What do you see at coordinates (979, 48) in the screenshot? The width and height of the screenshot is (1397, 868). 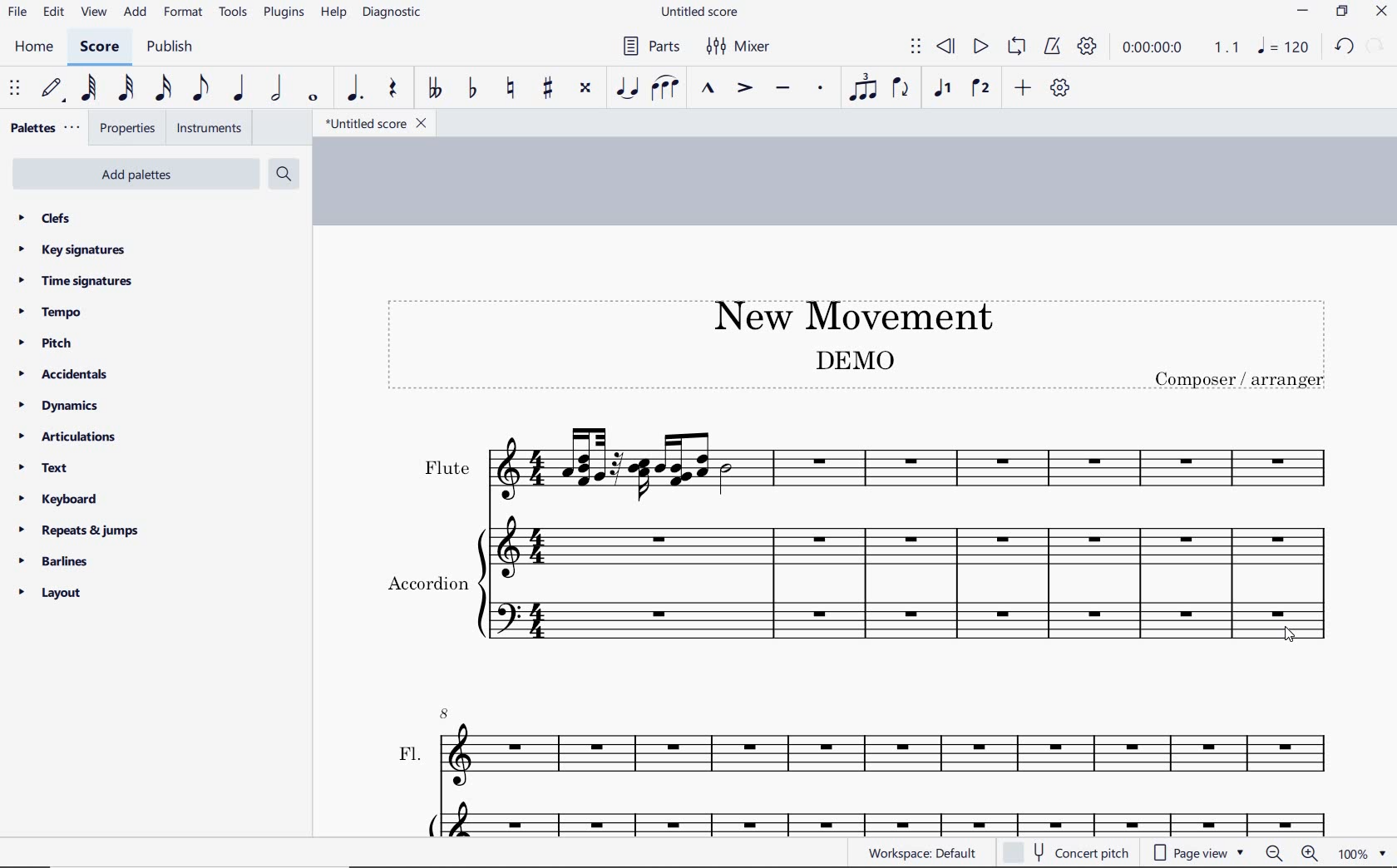 I see `play` at bounding box center [979, 48].